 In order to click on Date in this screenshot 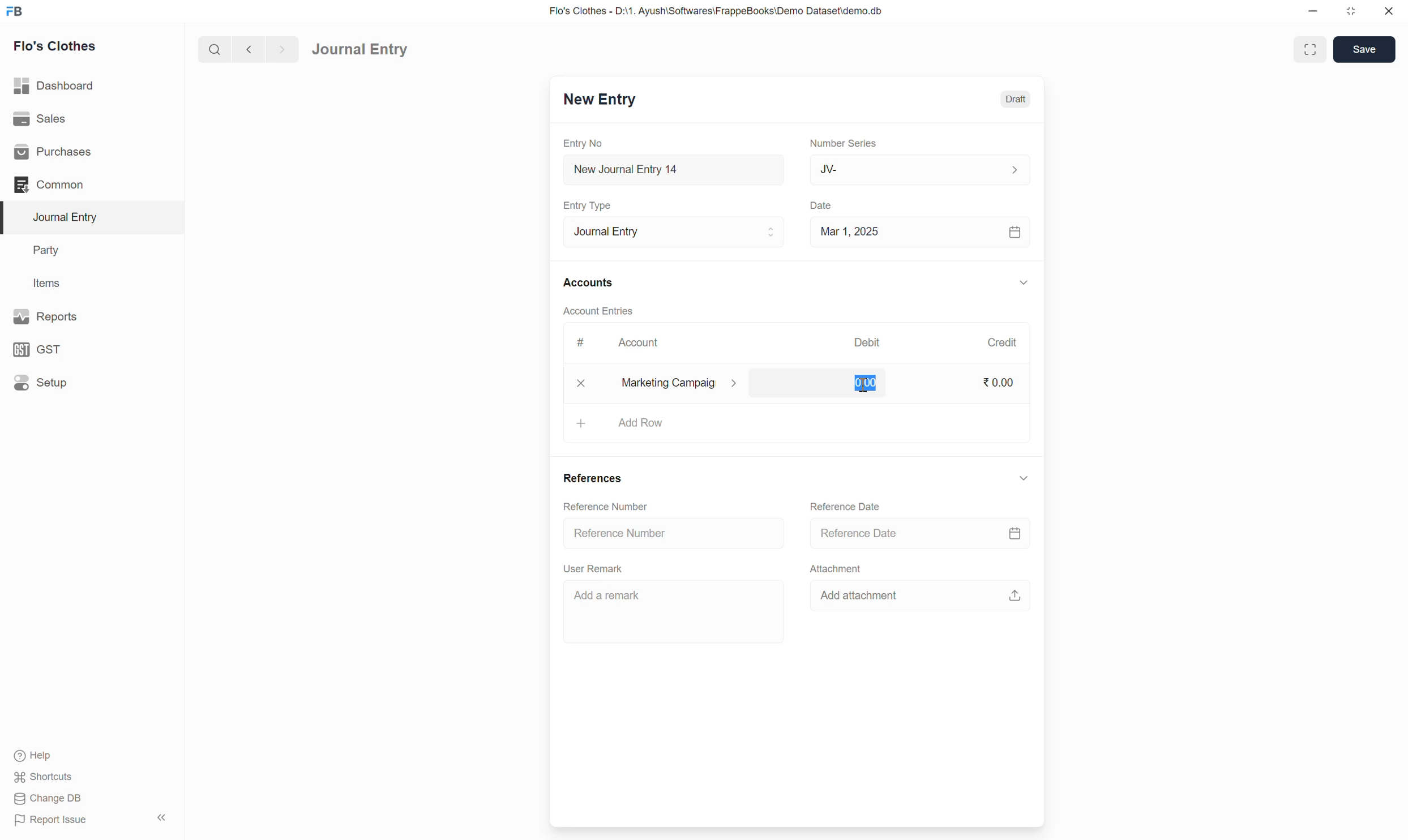, I will do `click(824, 206)`.